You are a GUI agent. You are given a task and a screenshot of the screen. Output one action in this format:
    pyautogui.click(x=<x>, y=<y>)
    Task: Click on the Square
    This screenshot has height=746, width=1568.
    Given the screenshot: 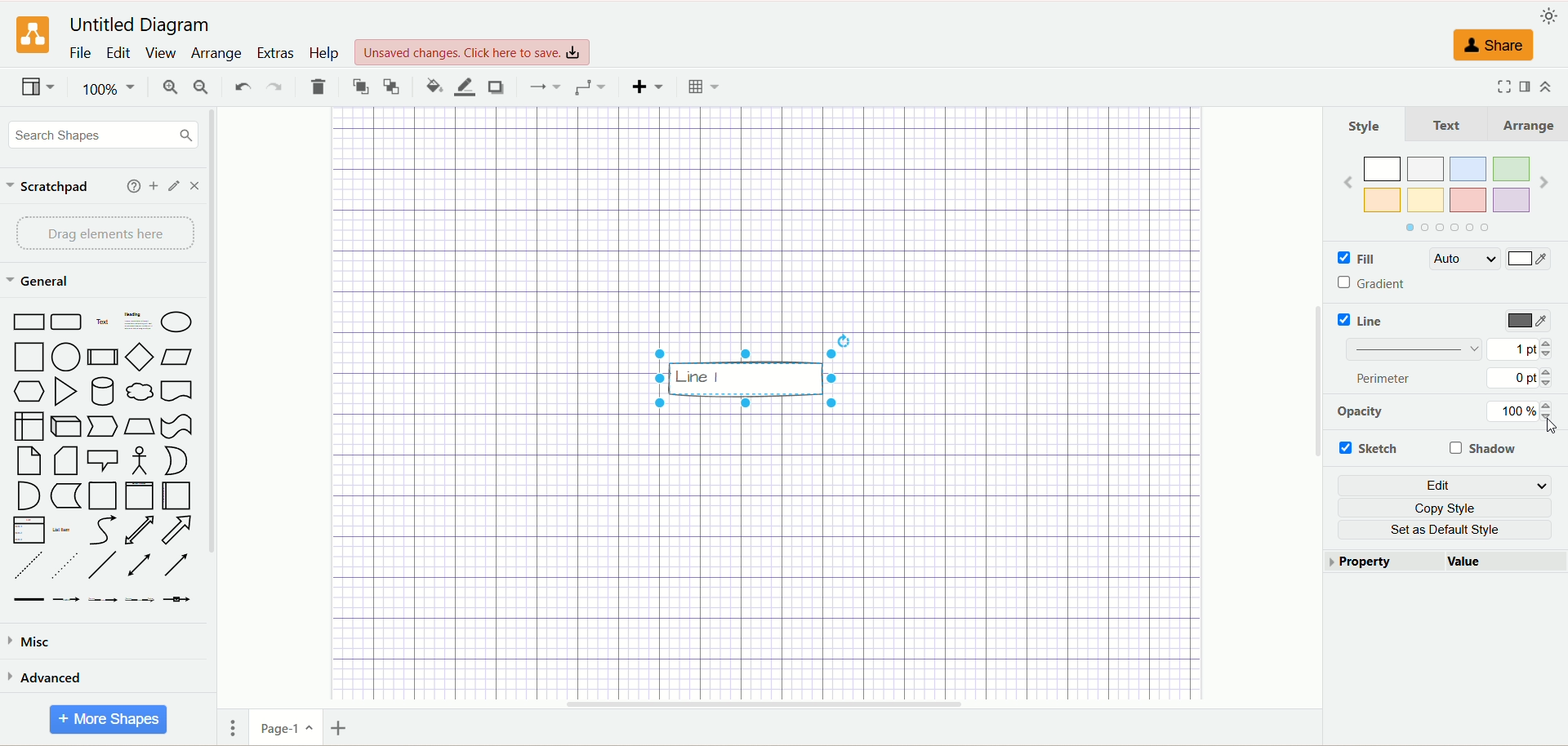 What is the action you would take?
    pyautogui.click(x=27, y=358)
    